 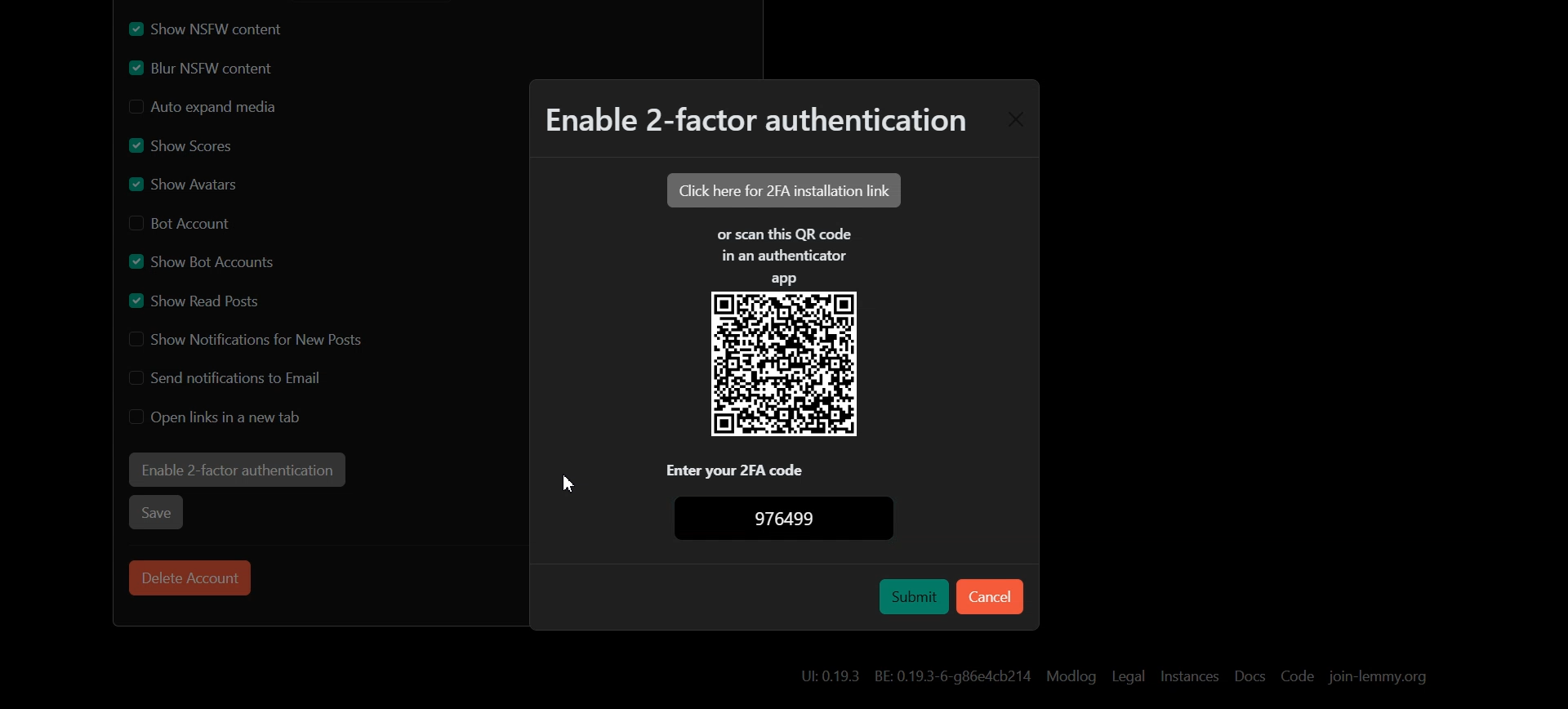 I want to click on Legal, so click(x=1129, y=676).